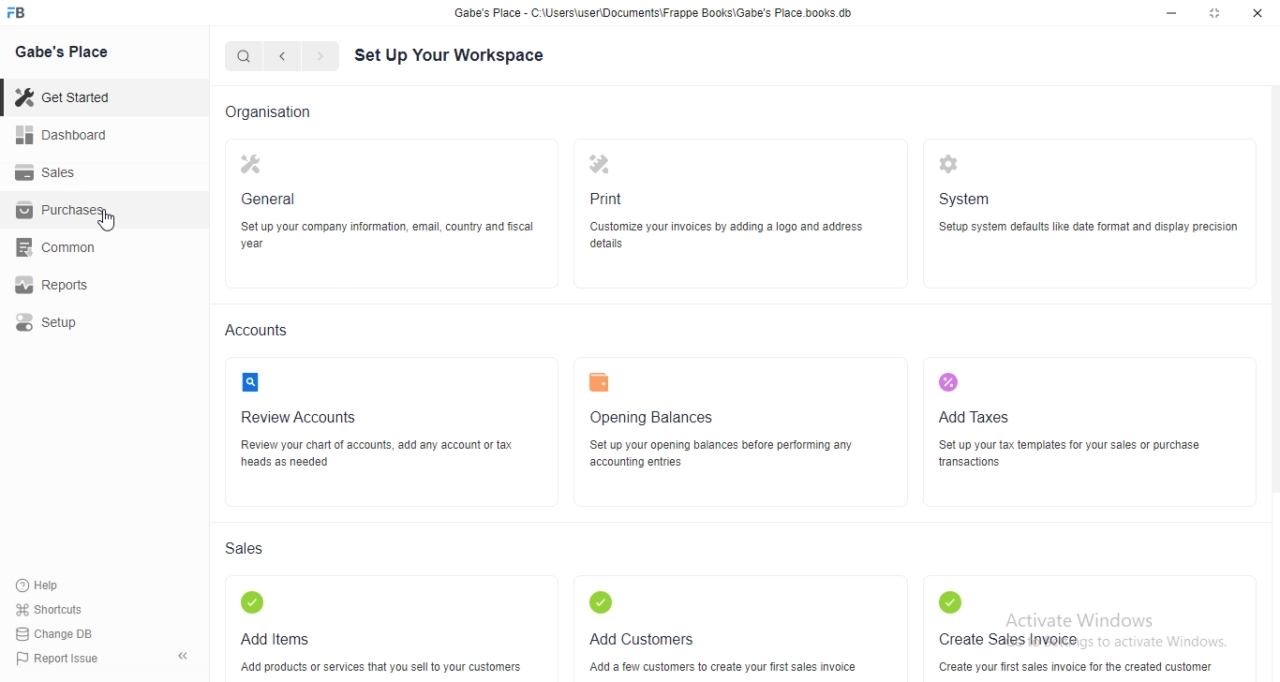 The image size is (1280, 682). Describe the element at coordinates (723, 652) in the screenshot. I see `Add Customers Add a few customers to create your first sales invoice` at that location.